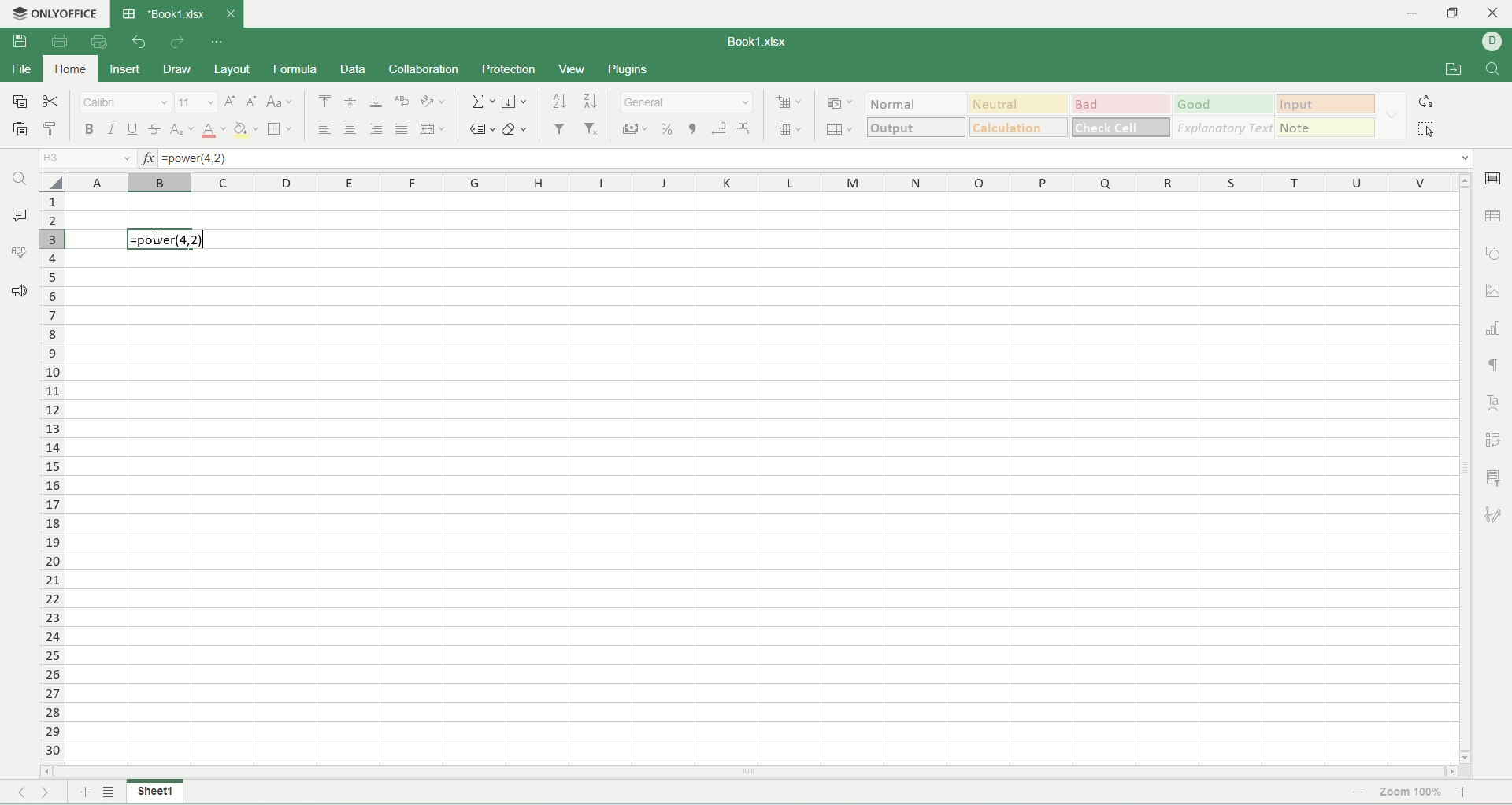  What do you see at coordinates (157, 131) in the screenshot?
I see `strikethrough` at bounding box center [157, 131].